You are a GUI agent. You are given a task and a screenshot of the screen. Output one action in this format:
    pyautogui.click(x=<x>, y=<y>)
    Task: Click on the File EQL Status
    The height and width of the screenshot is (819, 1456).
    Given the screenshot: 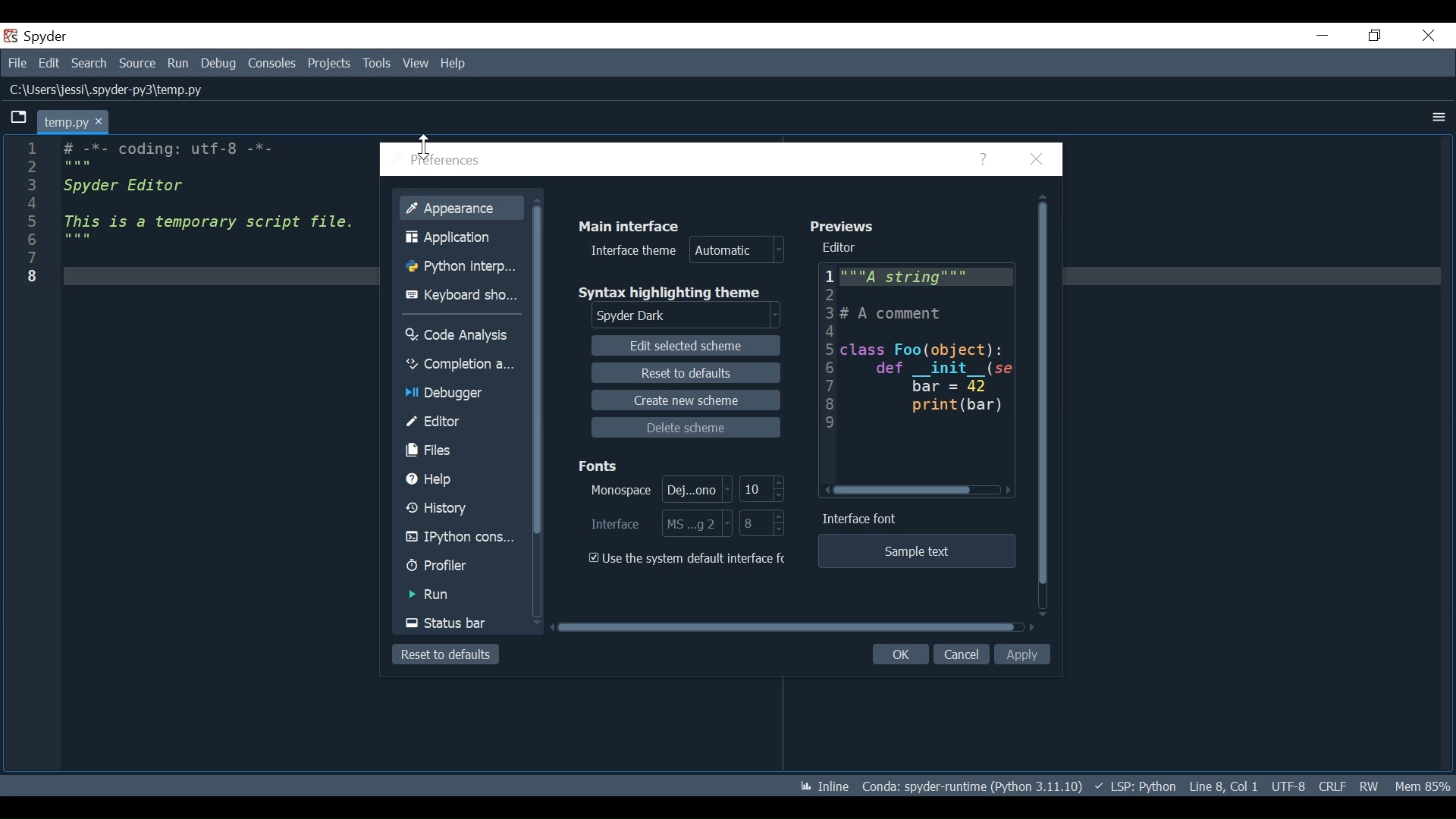 What is the action you would take?
    pyautogui.click(x=1332, y=786)
    